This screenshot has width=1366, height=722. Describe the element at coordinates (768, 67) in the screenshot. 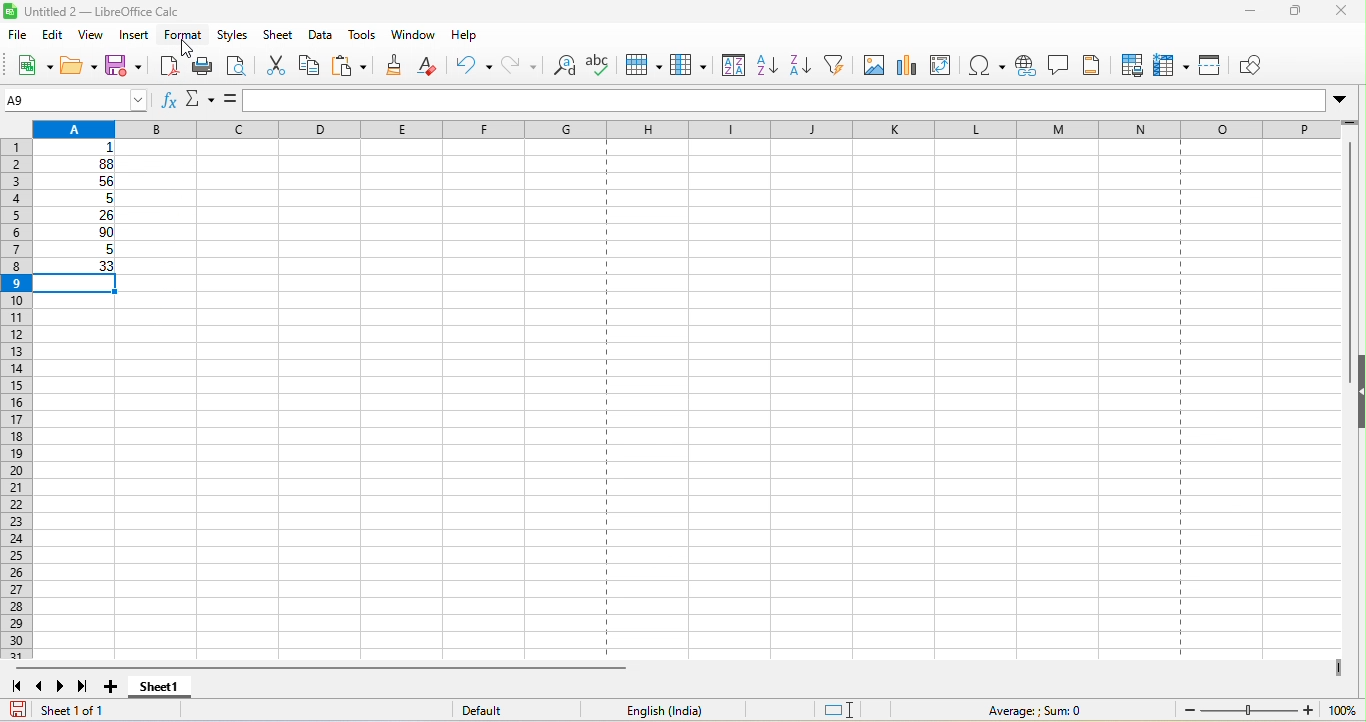

I see `sort ascending` at that location.